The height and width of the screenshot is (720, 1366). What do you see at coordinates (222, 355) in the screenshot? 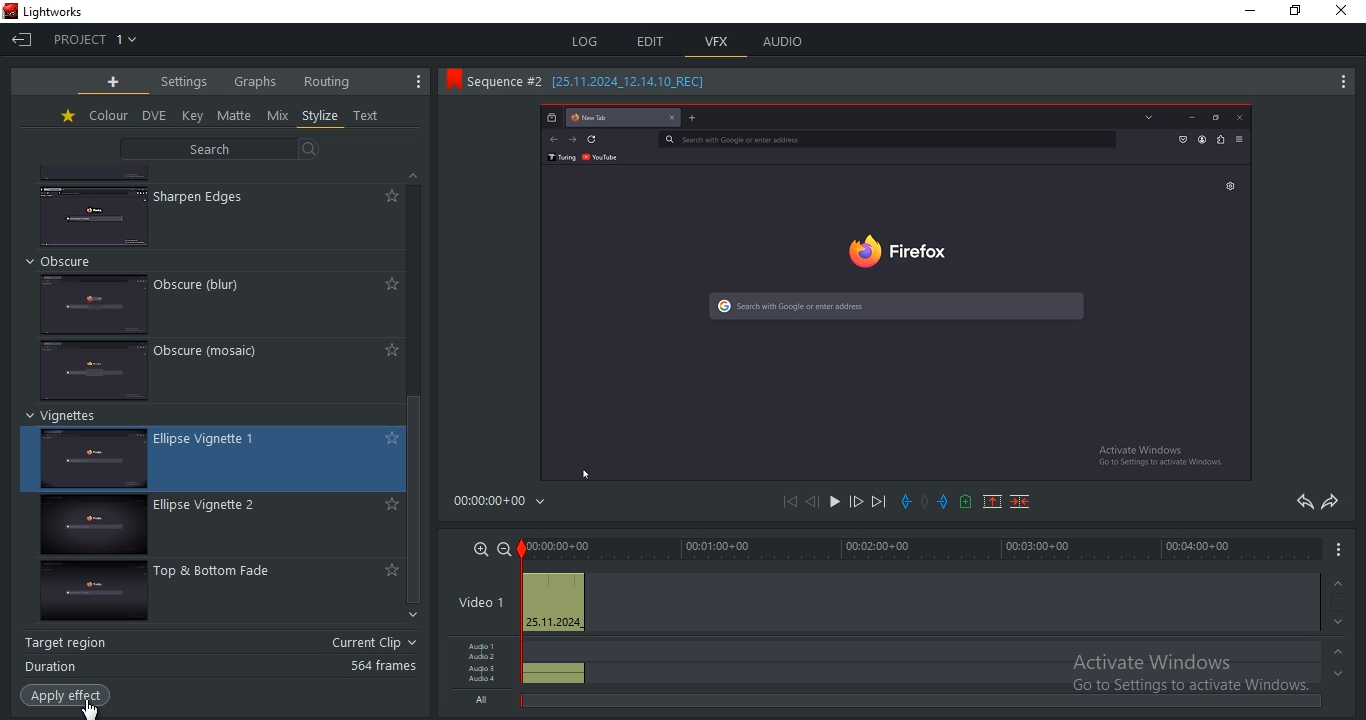
I see `Obscure (mosaic)` at bounding box center [222, 355].